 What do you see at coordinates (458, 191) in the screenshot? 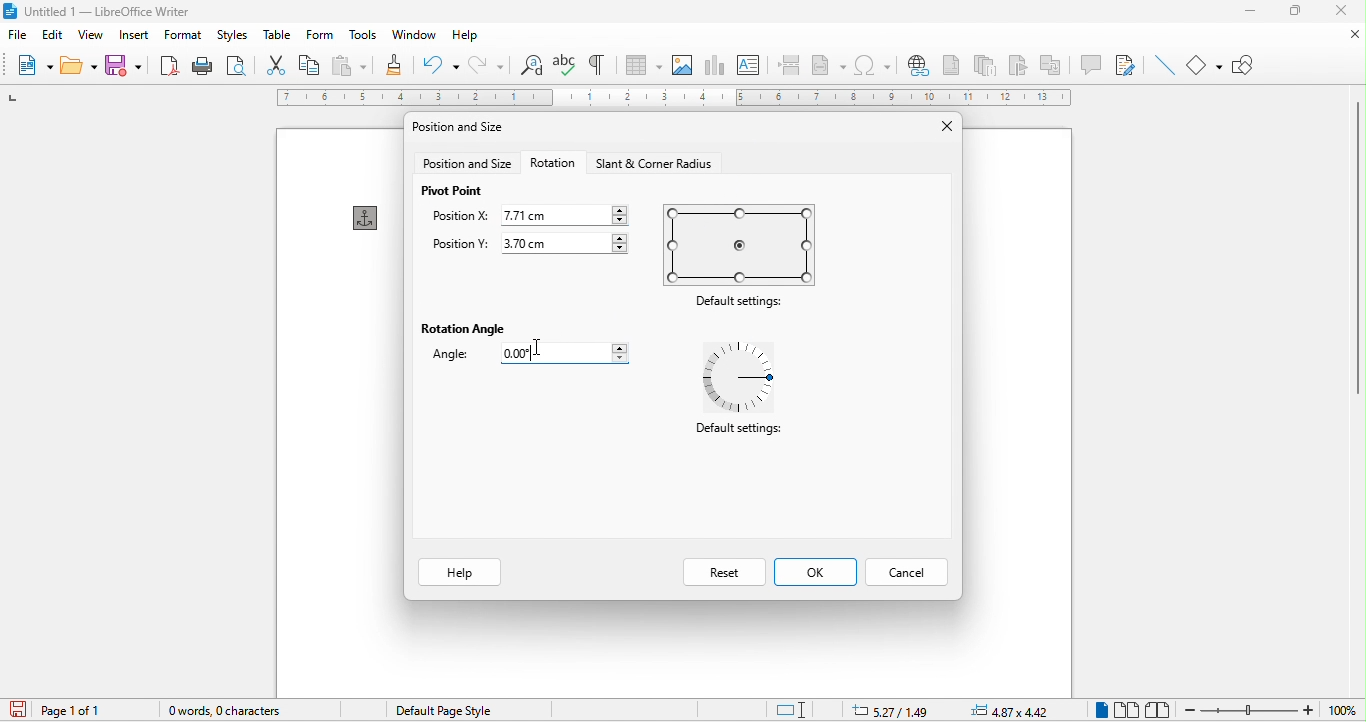
I see `pivot point` at bounding box center [458, 191].